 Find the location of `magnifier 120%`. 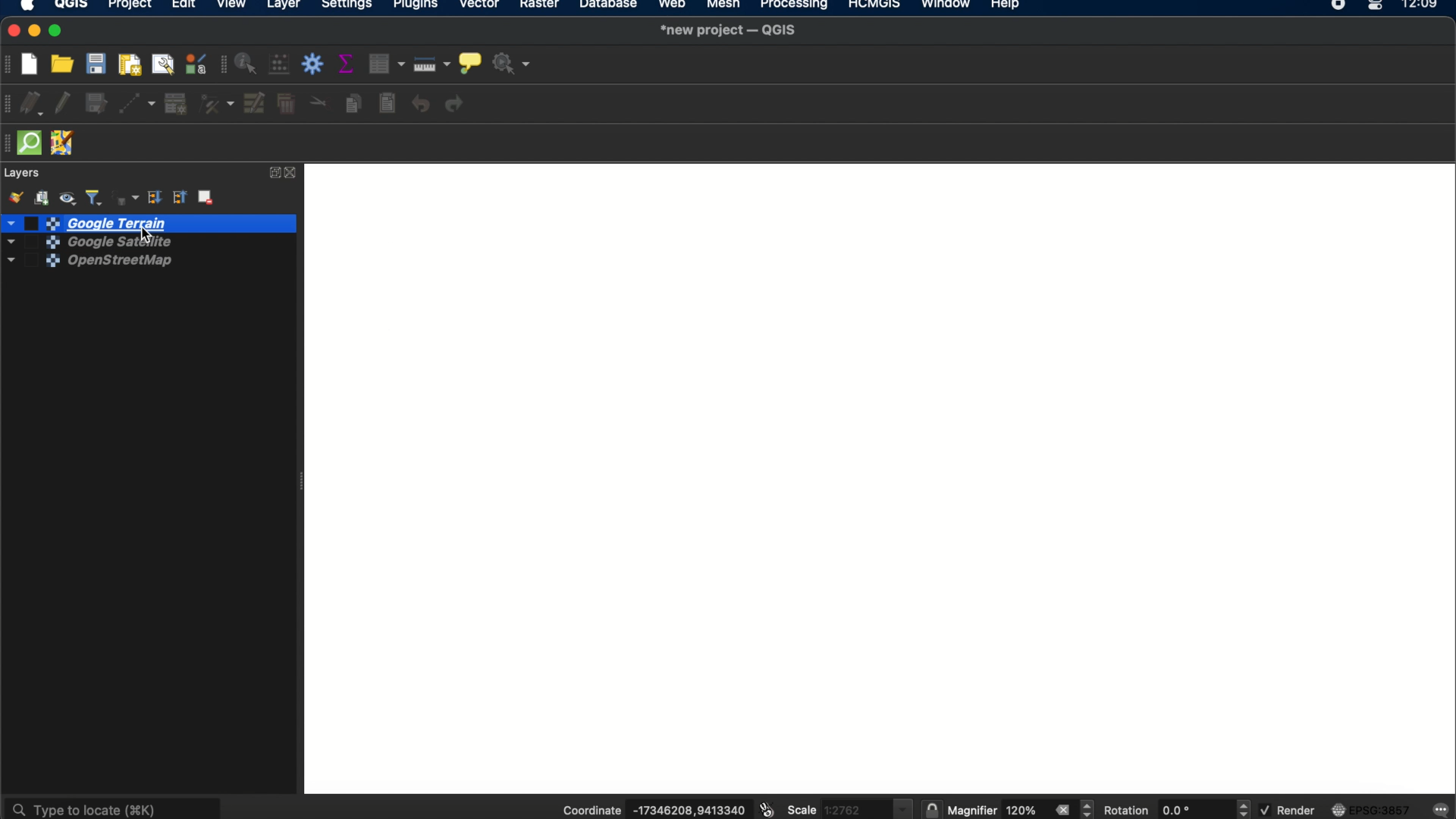

magnifier 120% is located at coordinates (996, 811).